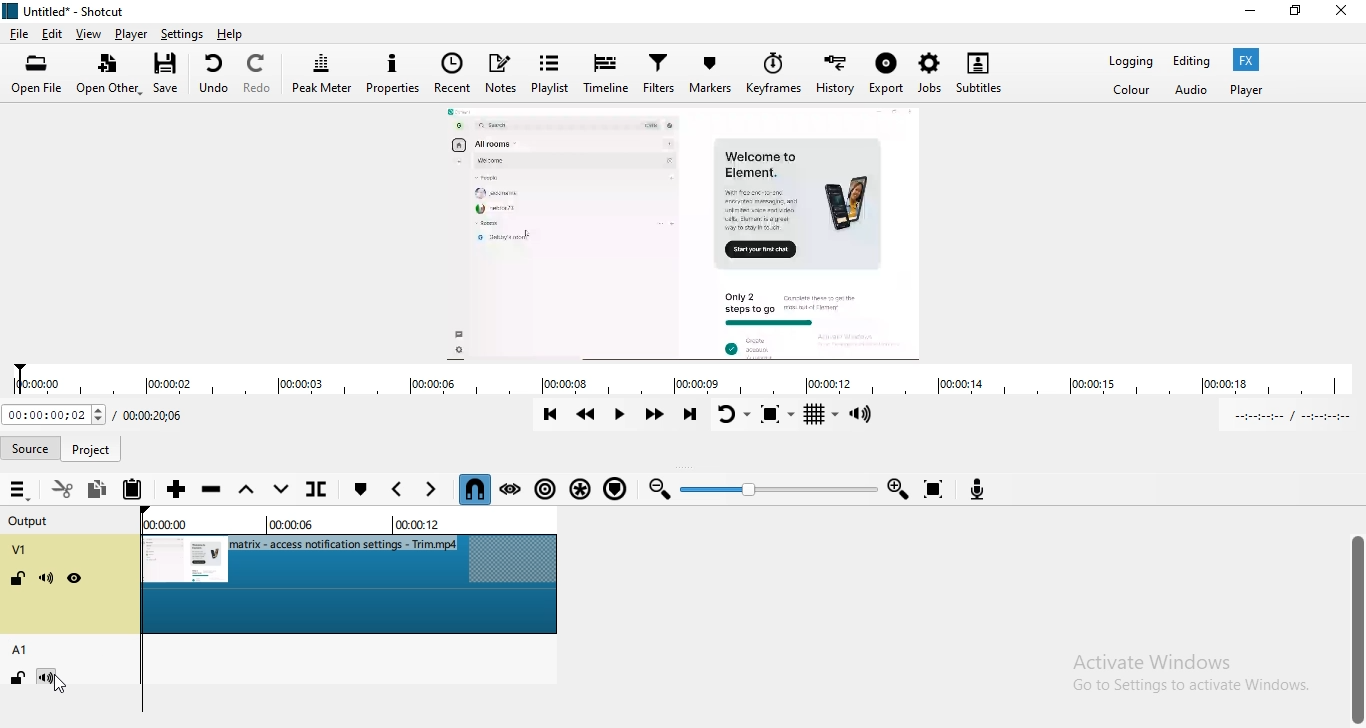 This screenshot has height=728, width=1366. Describe the element at coordinates (23, 550) in the screenshot. I see `V1` at that location.